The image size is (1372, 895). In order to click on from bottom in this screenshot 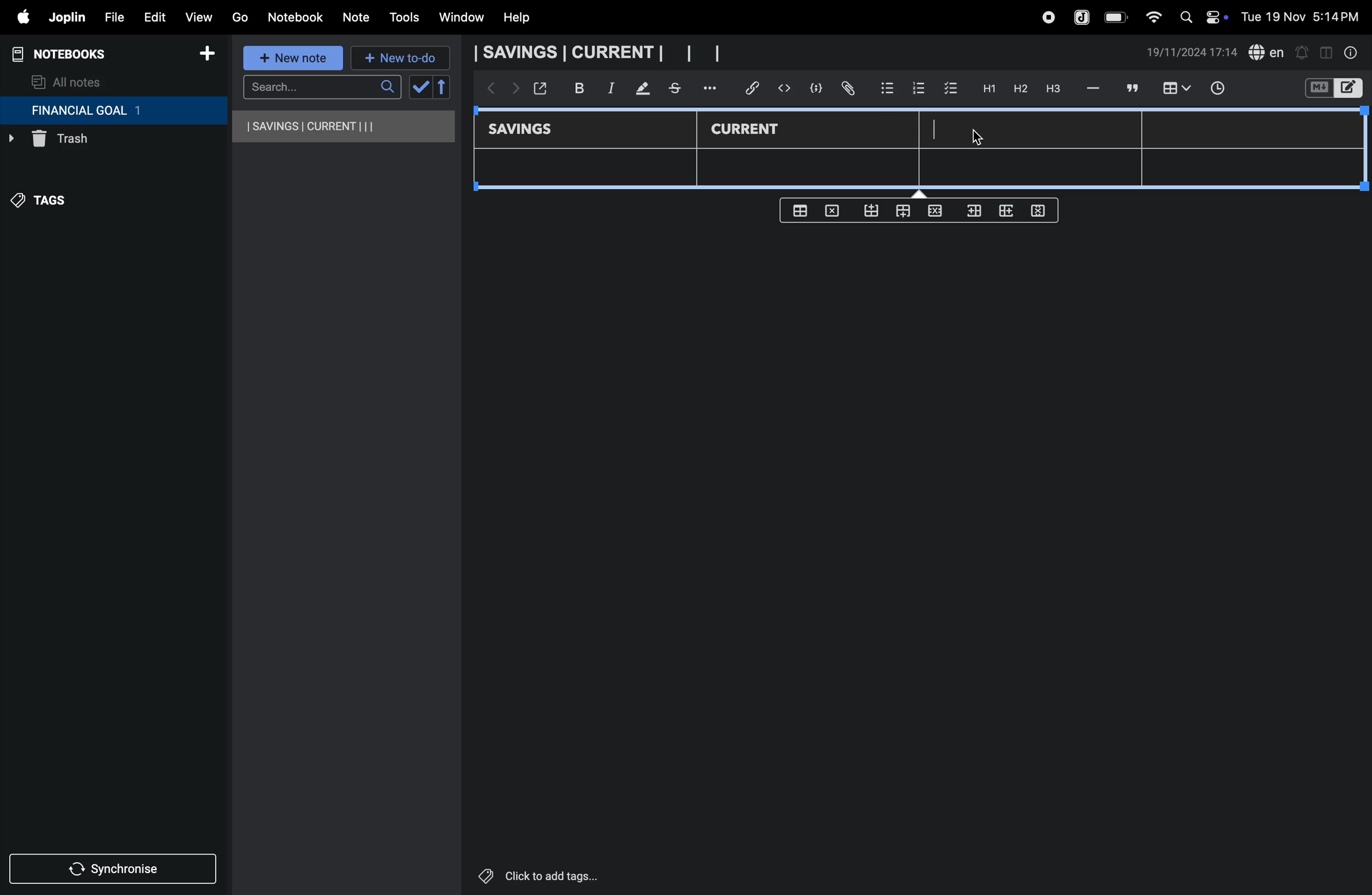, I will do `click(872, 211)`.